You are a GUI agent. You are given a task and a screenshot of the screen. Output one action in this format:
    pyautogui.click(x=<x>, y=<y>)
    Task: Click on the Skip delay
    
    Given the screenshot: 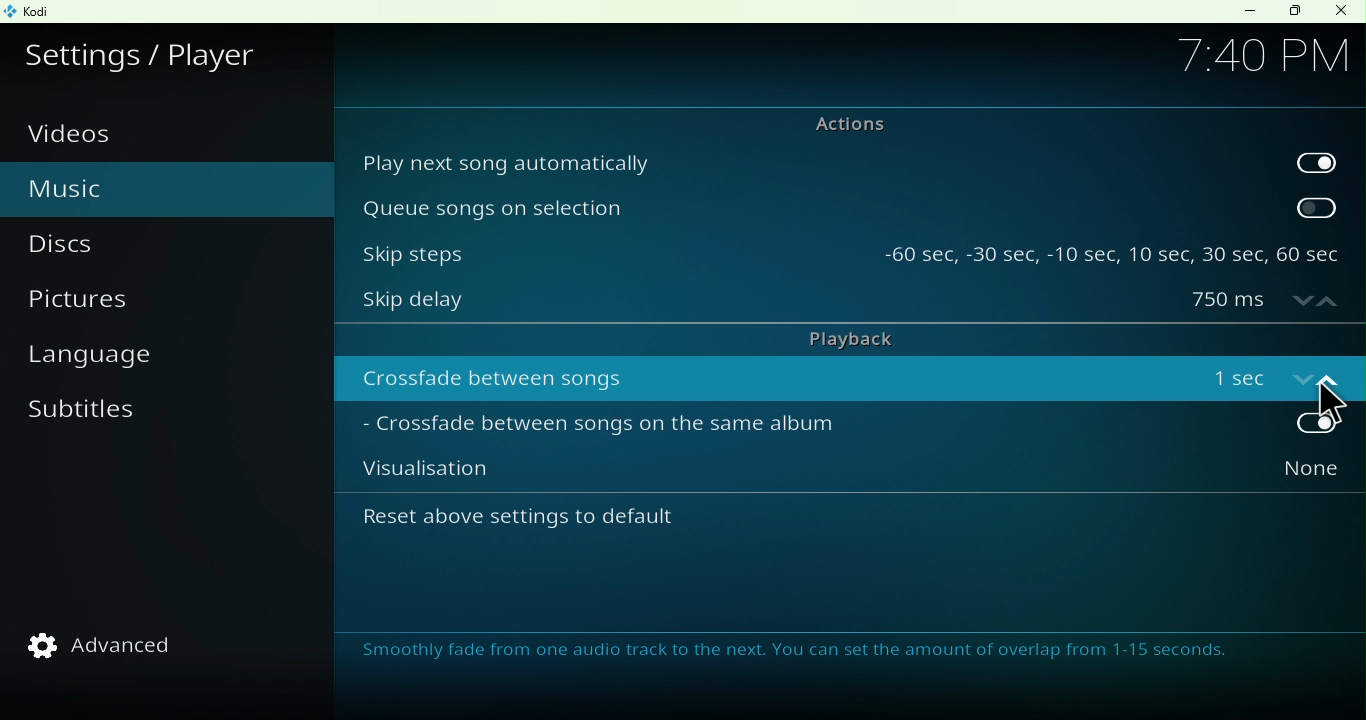 What is the action you would take?
    pyautogui.click(x=759, y=304)
    